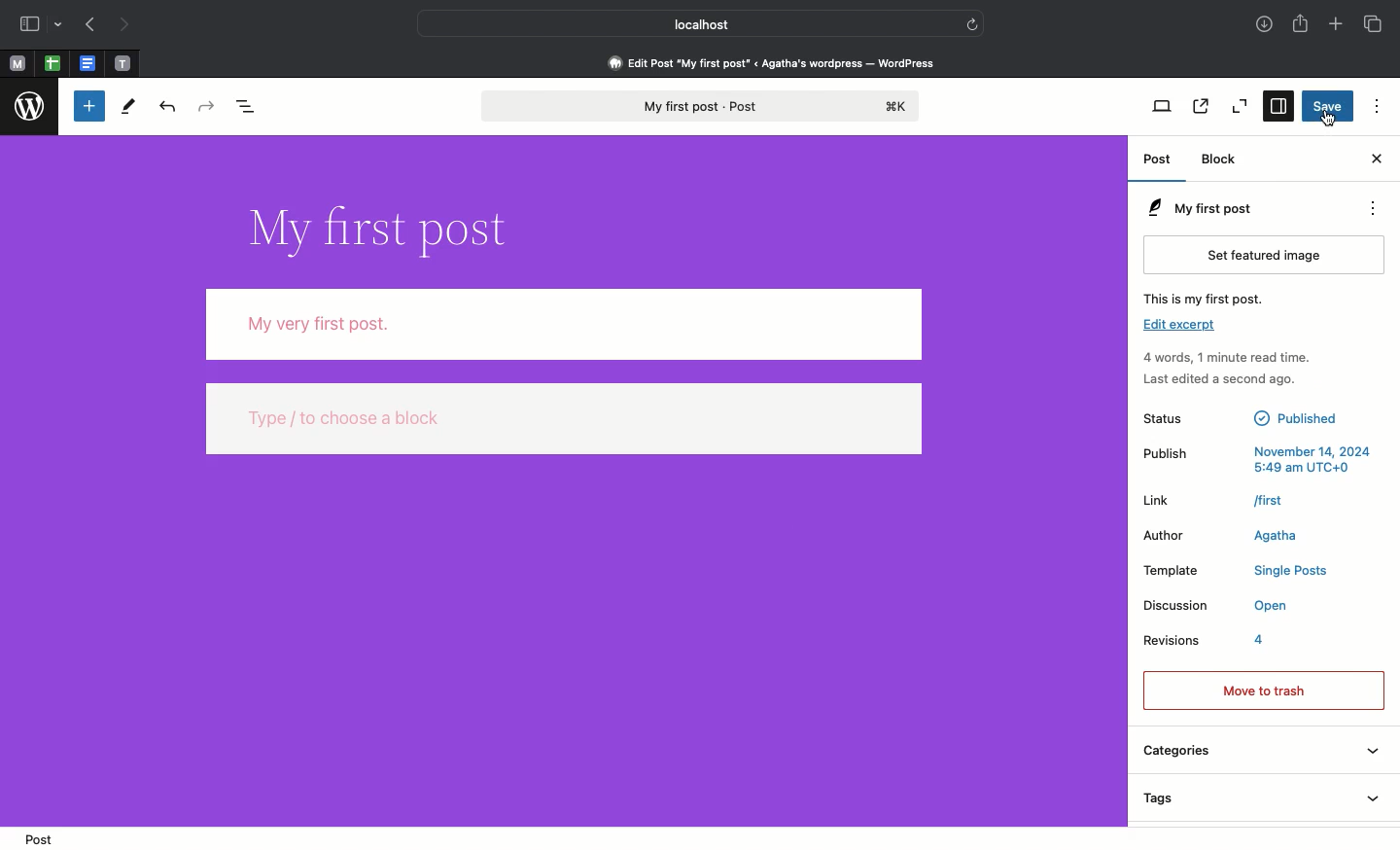 The height and width of the screenshot is (850, 1400). Describe the element at coordinates (129, 23) in the screenshot. I see `Next page` at that location.